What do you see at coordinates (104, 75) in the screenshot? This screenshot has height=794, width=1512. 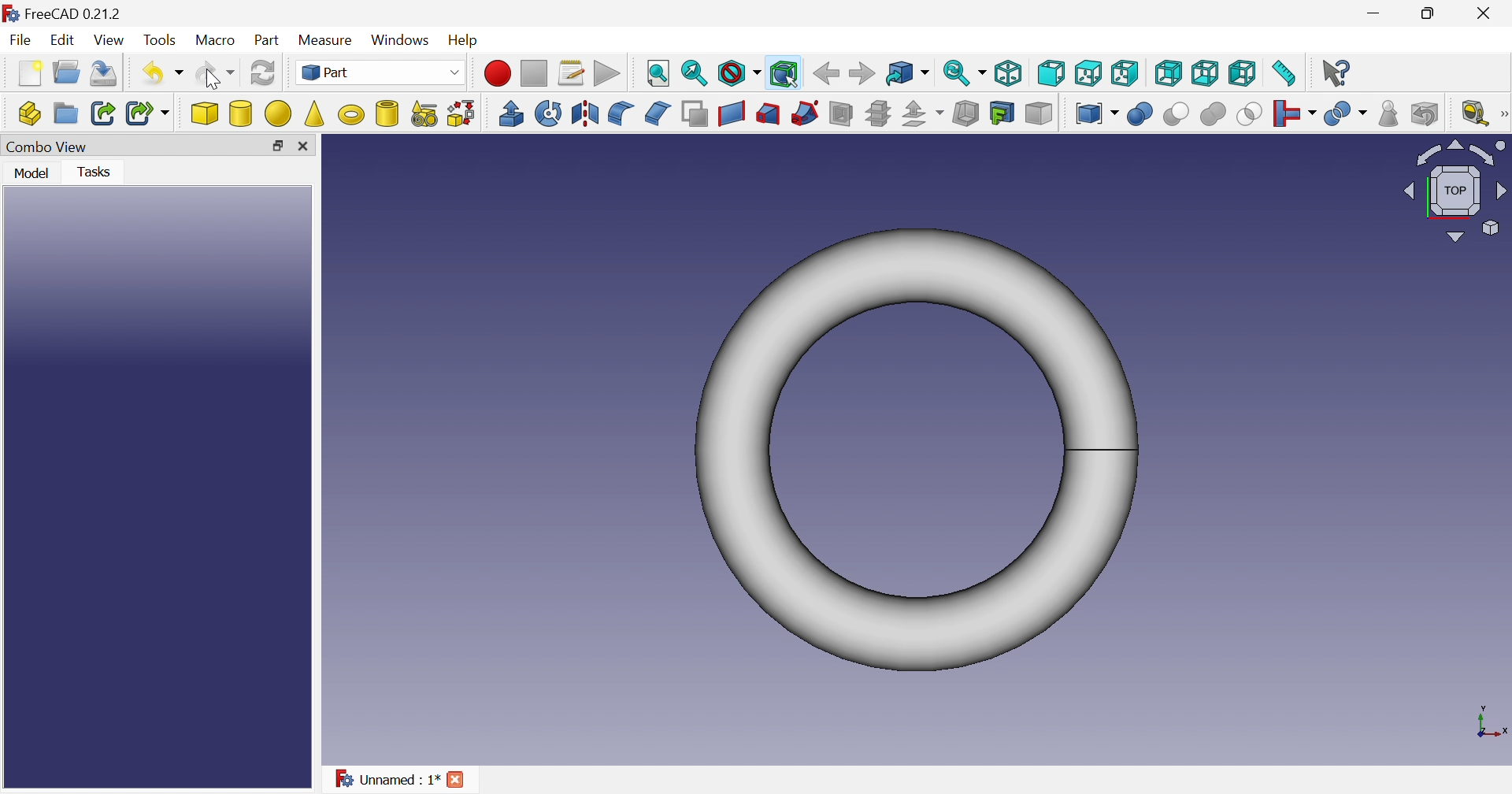 I see `Save` at bounding box center [104, 75].